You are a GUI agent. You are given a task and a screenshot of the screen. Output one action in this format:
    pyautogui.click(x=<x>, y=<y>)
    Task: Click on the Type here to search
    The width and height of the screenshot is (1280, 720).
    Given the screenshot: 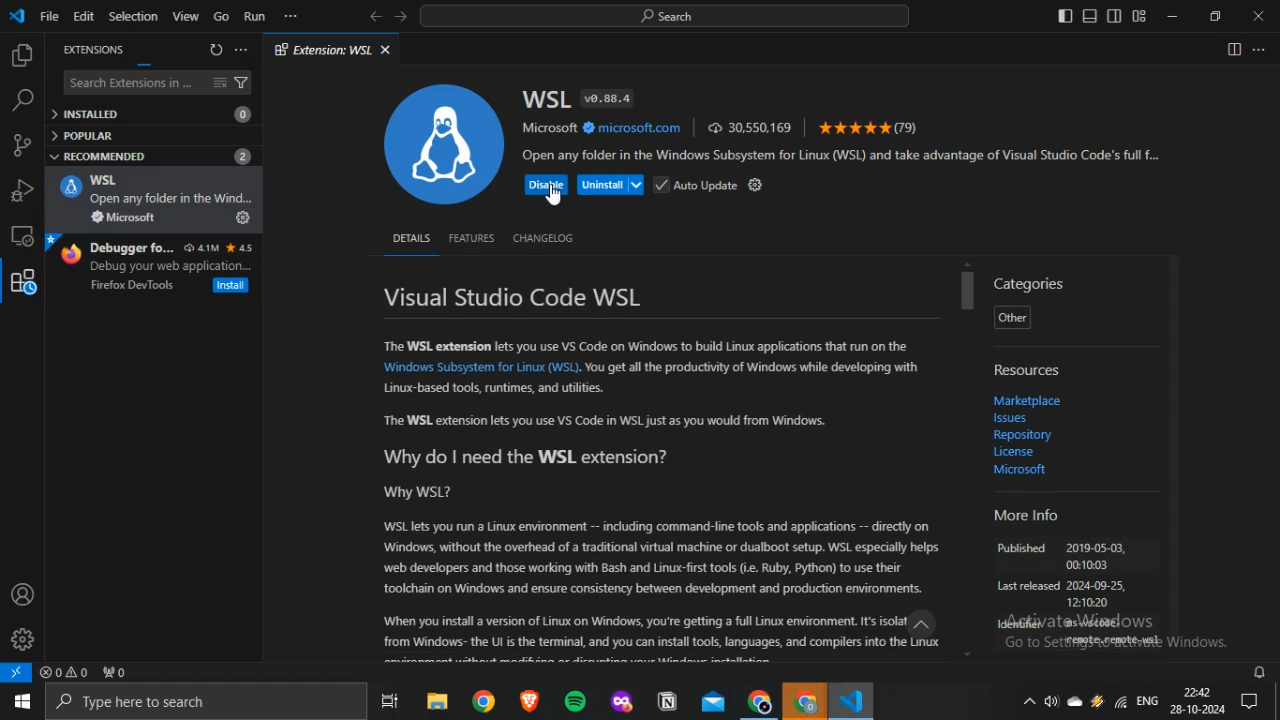 What is the action you would take?
    pyautogui.click(x=205, y=702)
    